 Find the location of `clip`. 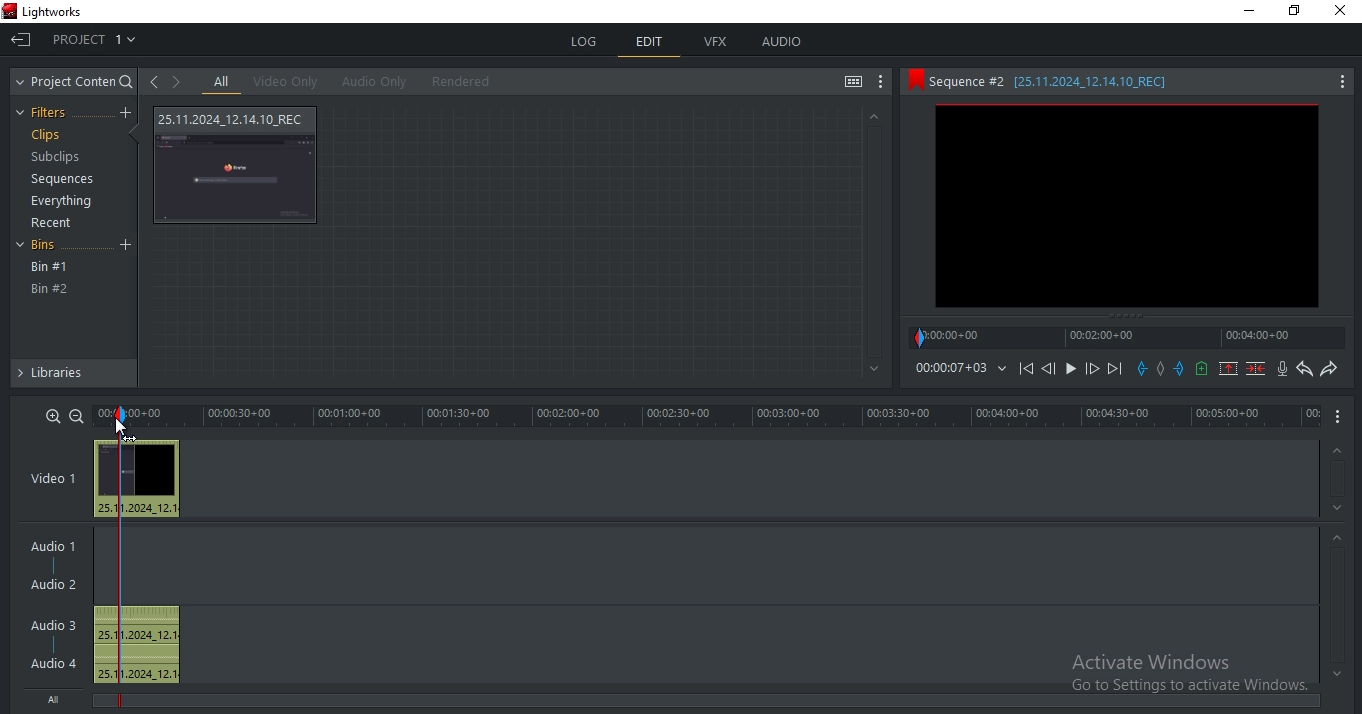

clip is located at coordinates (1126, 206).